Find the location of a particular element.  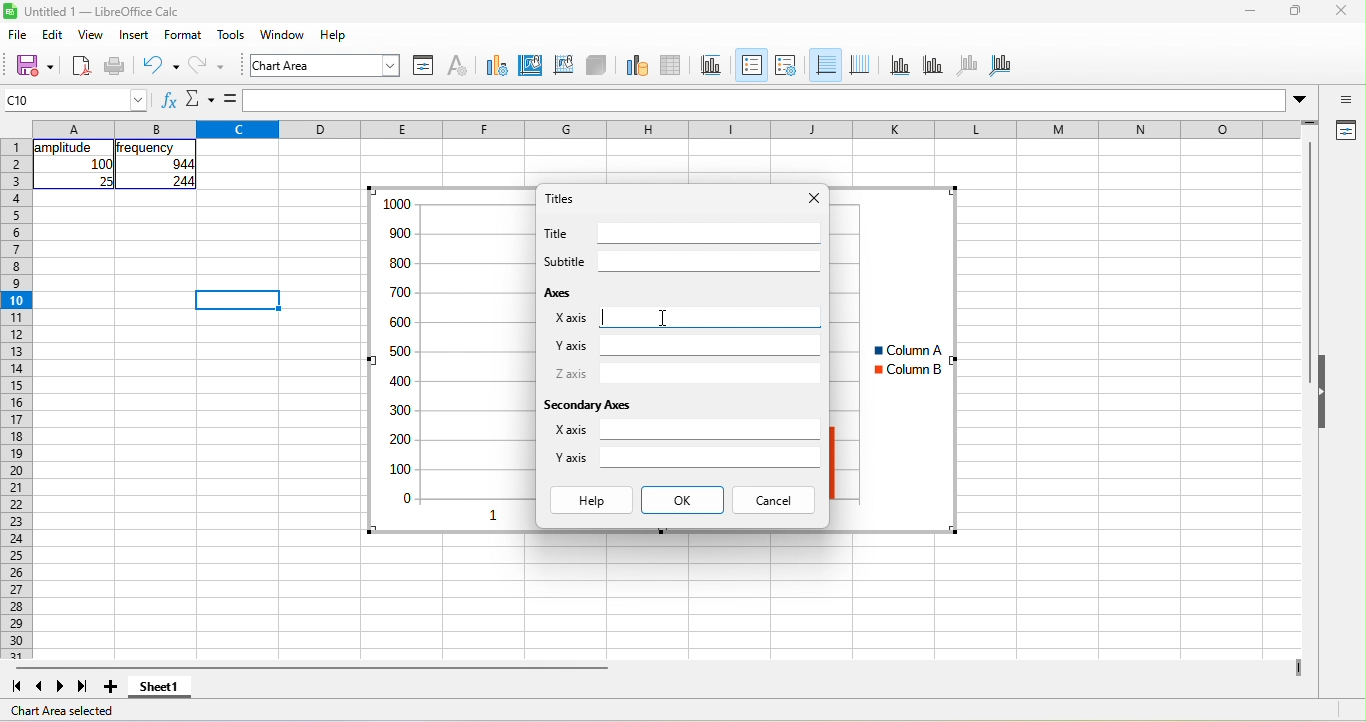

close is located at coordinates (815, 198).